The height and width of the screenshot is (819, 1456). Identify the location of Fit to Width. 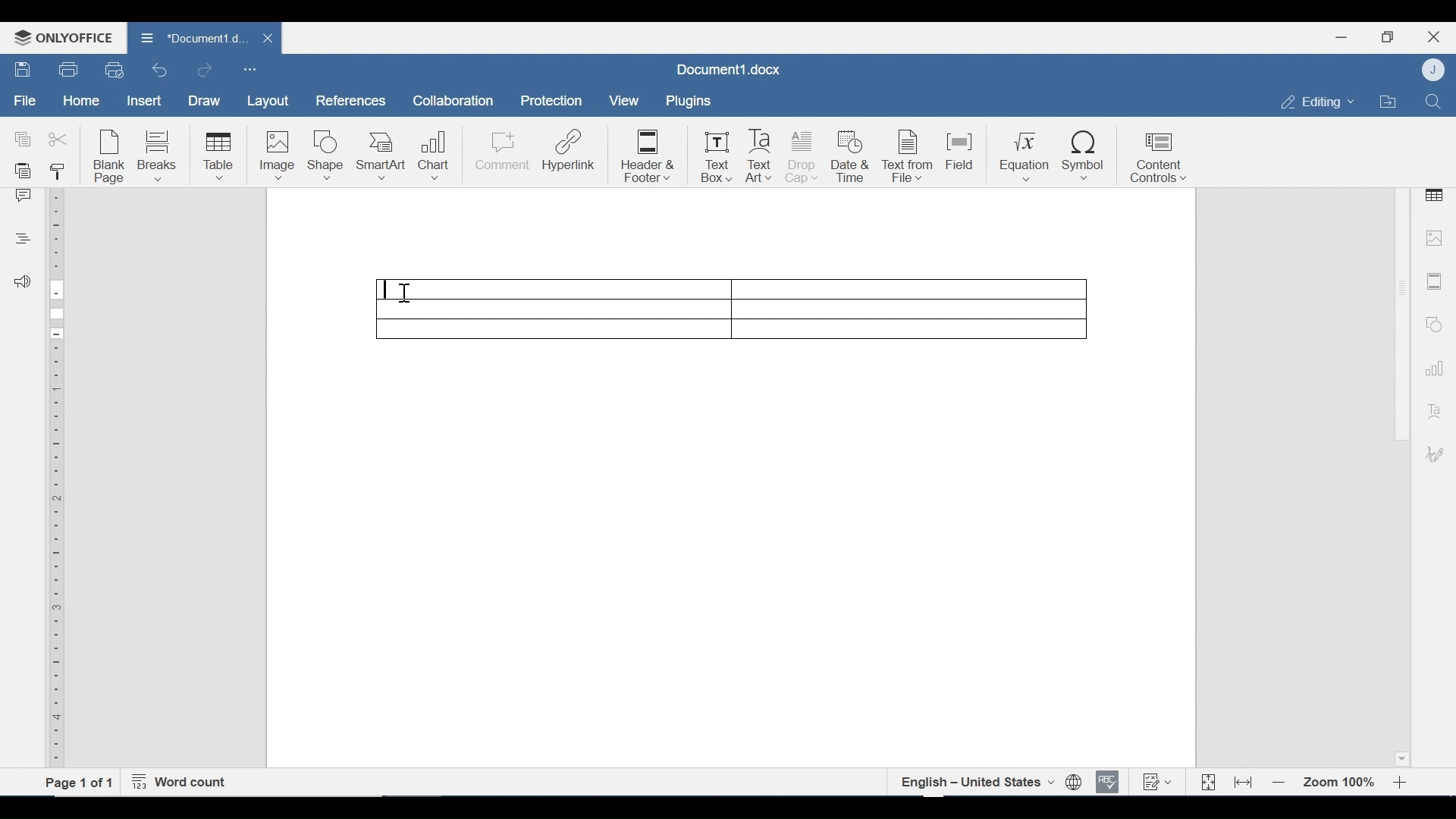
(1244, 781).